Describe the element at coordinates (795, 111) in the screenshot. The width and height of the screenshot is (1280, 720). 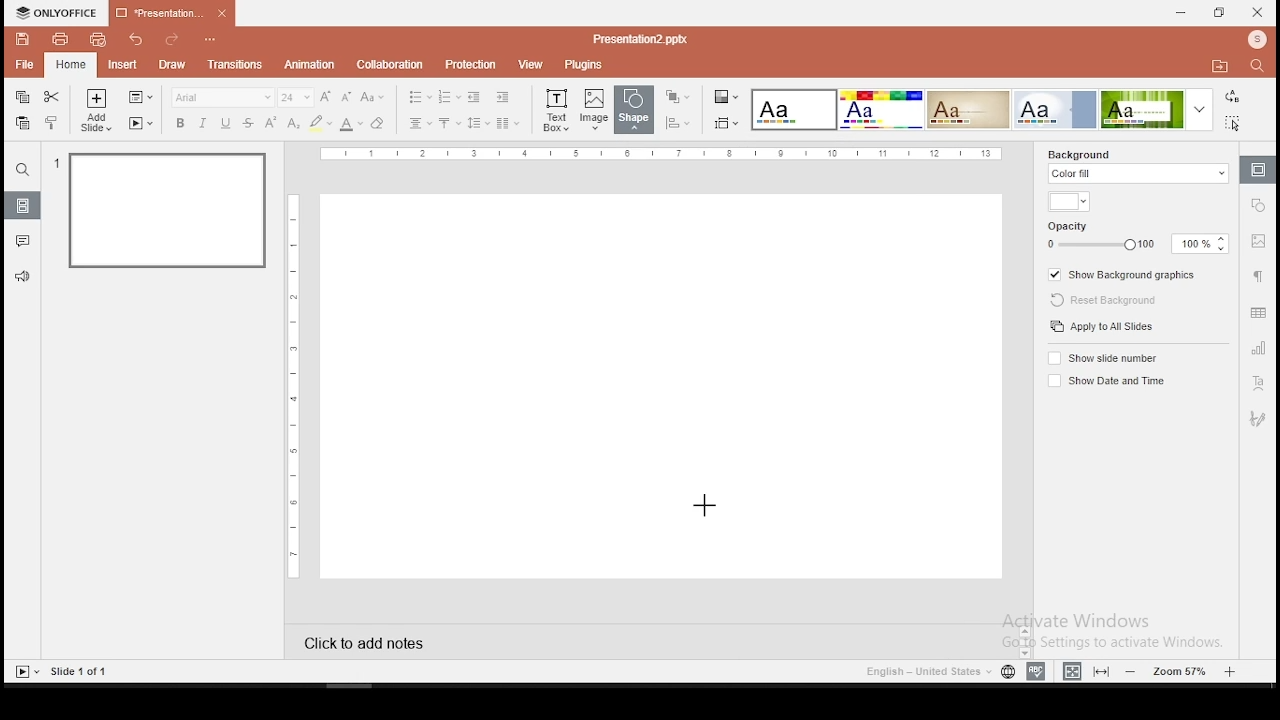
I see `theme` at that location.